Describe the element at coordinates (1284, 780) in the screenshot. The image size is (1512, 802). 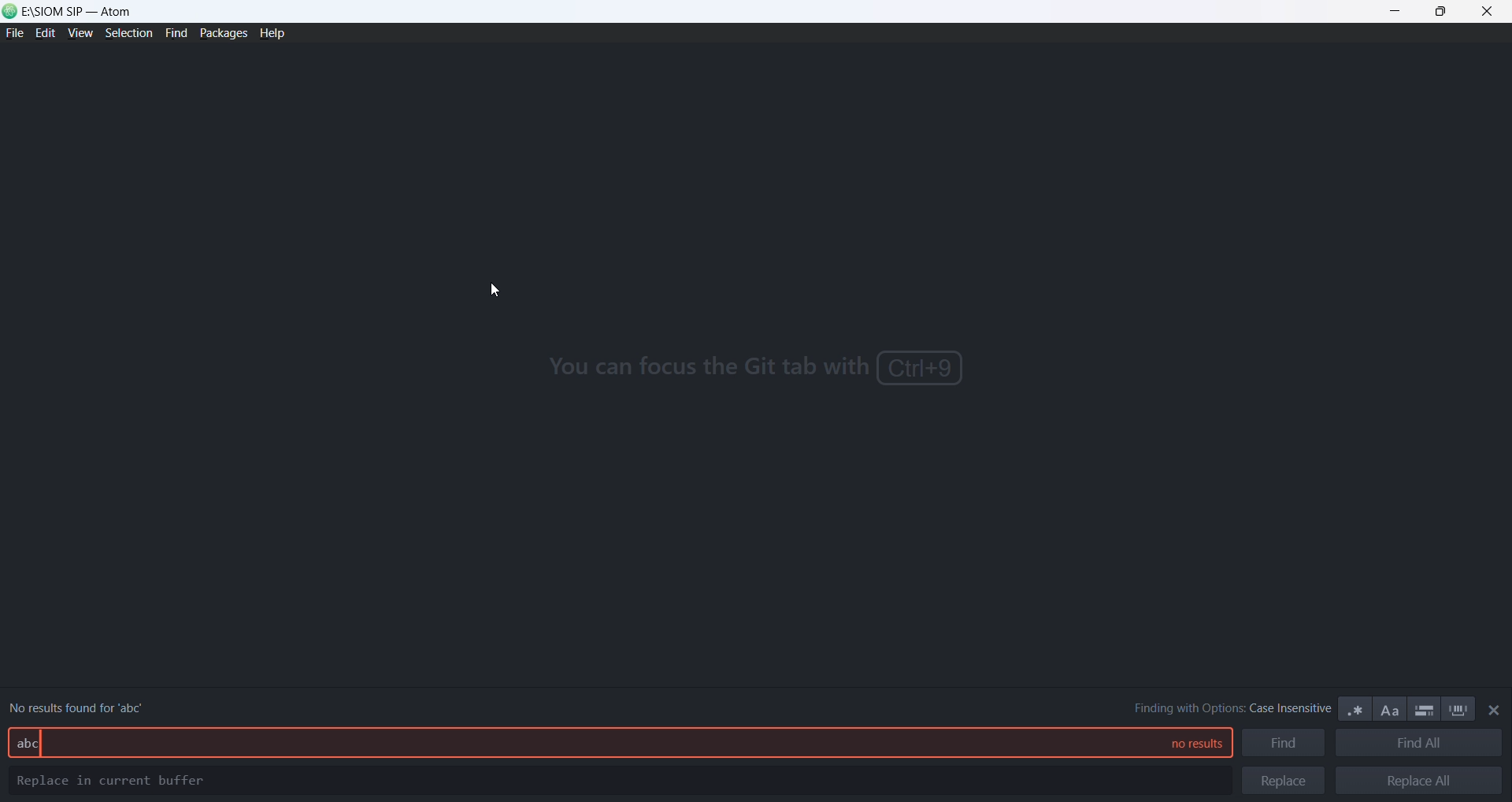
I see `replace` at that location.